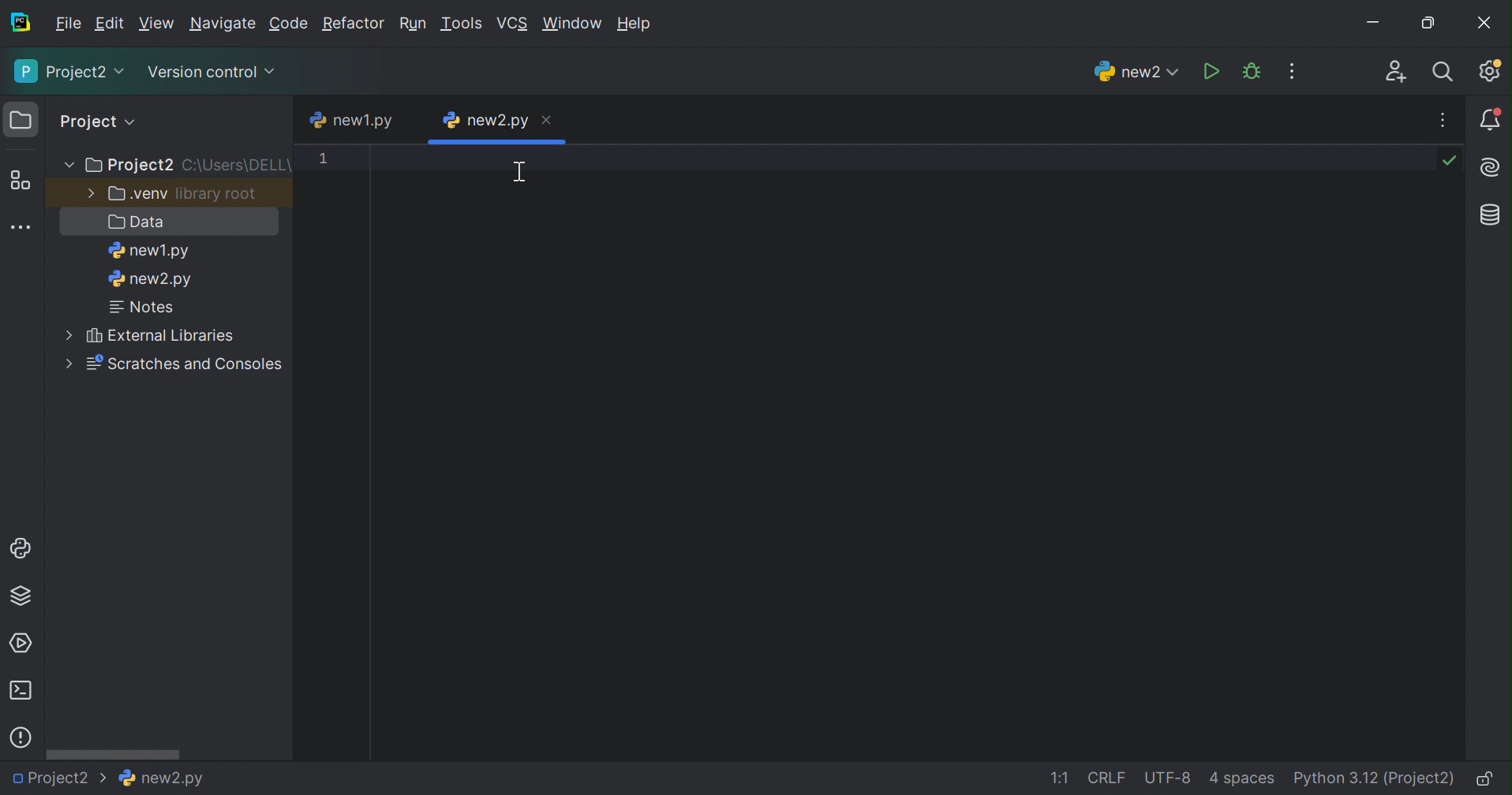  What do you see at coordinates (110, 24) in the screenshot?
I see `Edit` at bounding box center [110, 24].